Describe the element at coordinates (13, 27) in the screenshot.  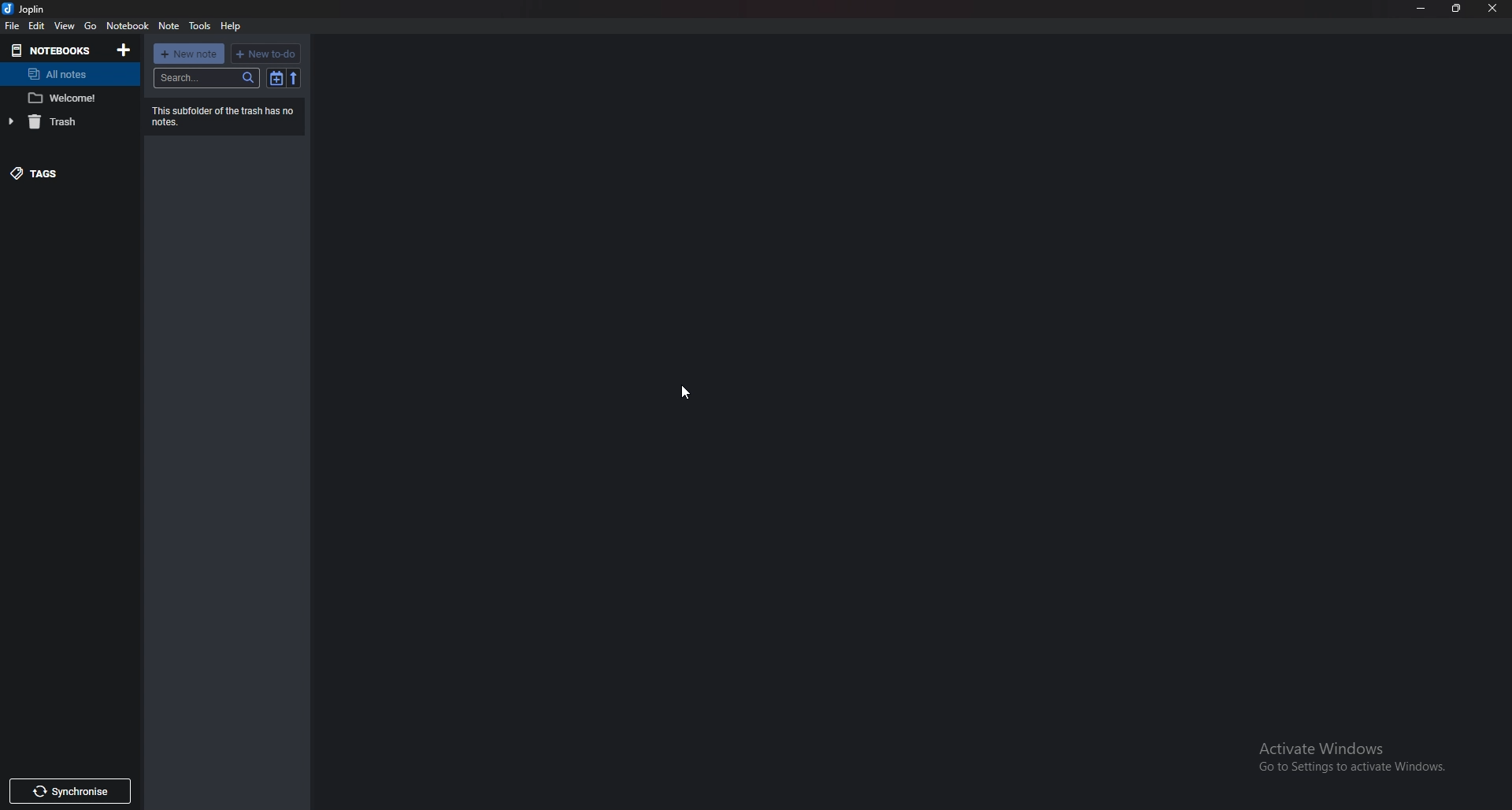
I see `File` at that location.